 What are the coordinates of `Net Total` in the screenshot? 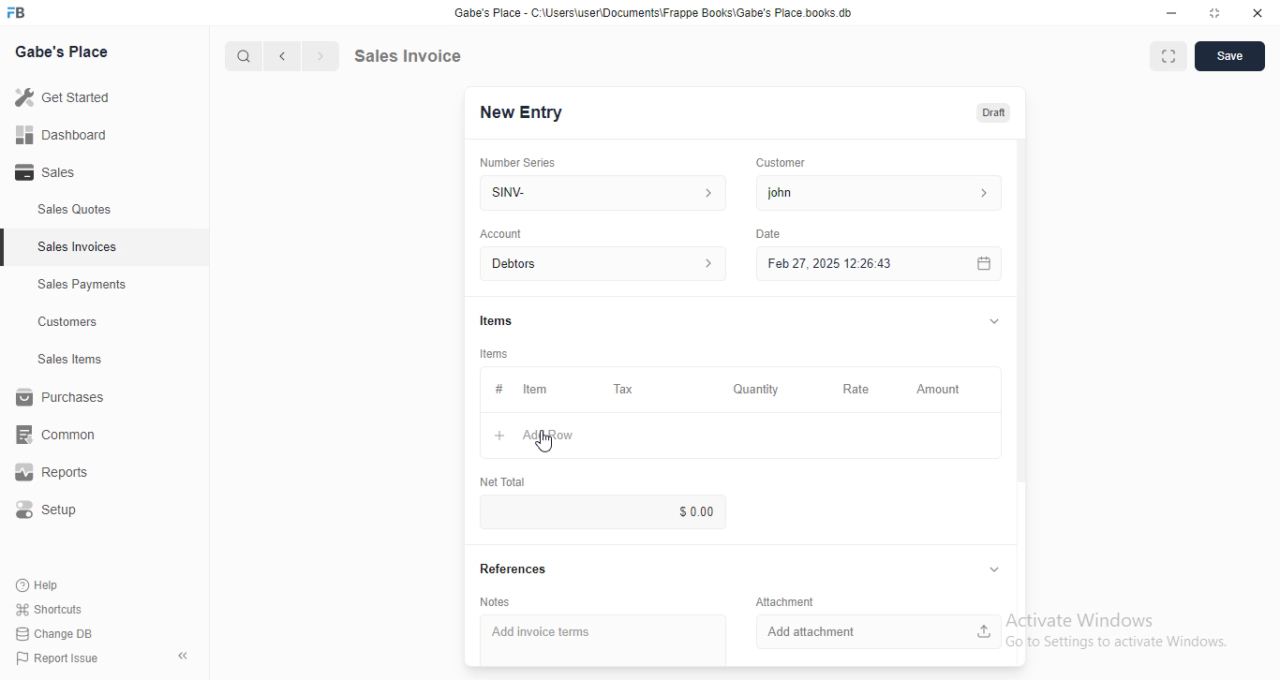 It's located at (499, 480).